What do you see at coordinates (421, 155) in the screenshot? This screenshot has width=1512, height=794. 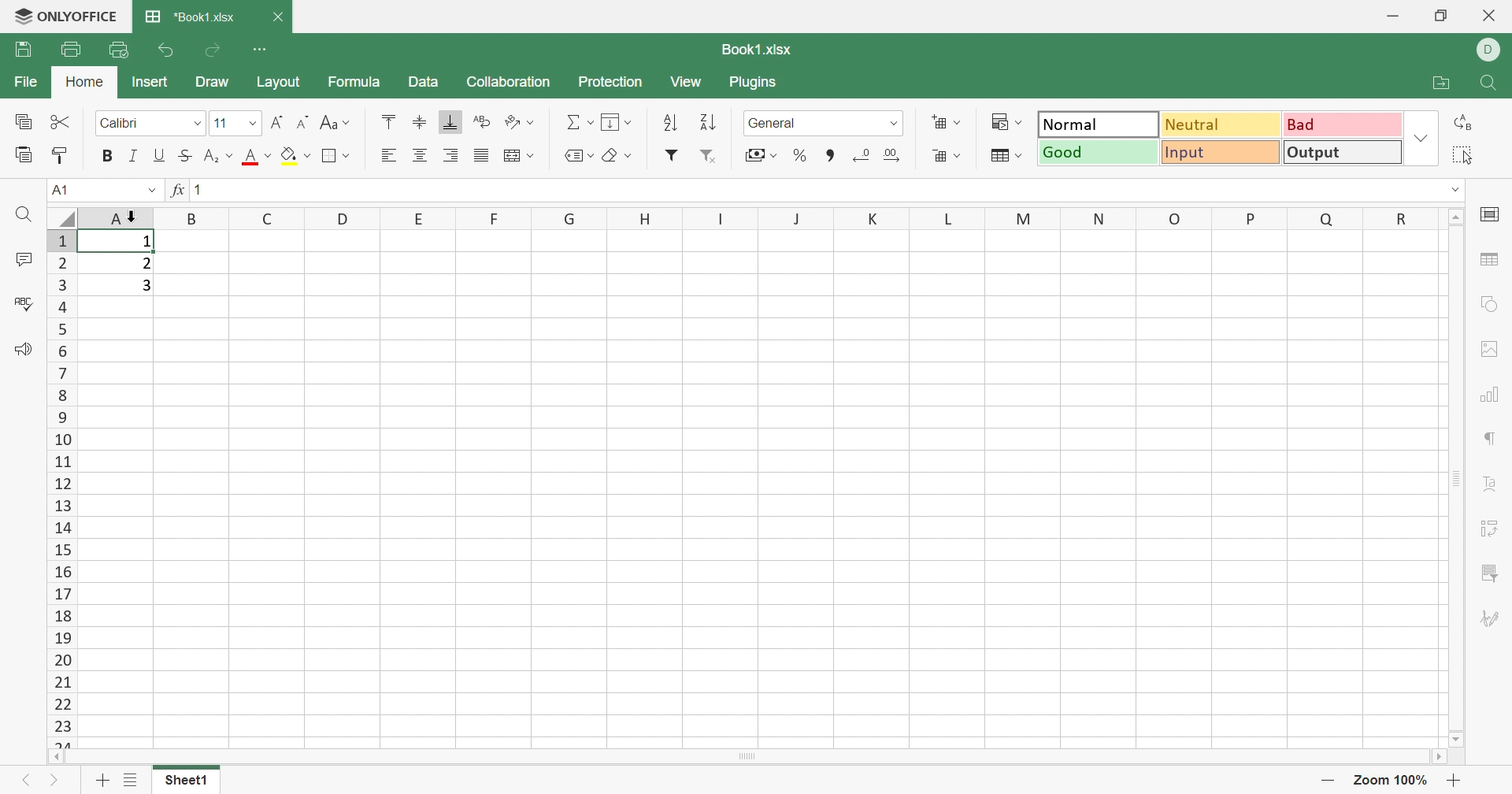 I see `Align middle` at bounding box center [421, 155].